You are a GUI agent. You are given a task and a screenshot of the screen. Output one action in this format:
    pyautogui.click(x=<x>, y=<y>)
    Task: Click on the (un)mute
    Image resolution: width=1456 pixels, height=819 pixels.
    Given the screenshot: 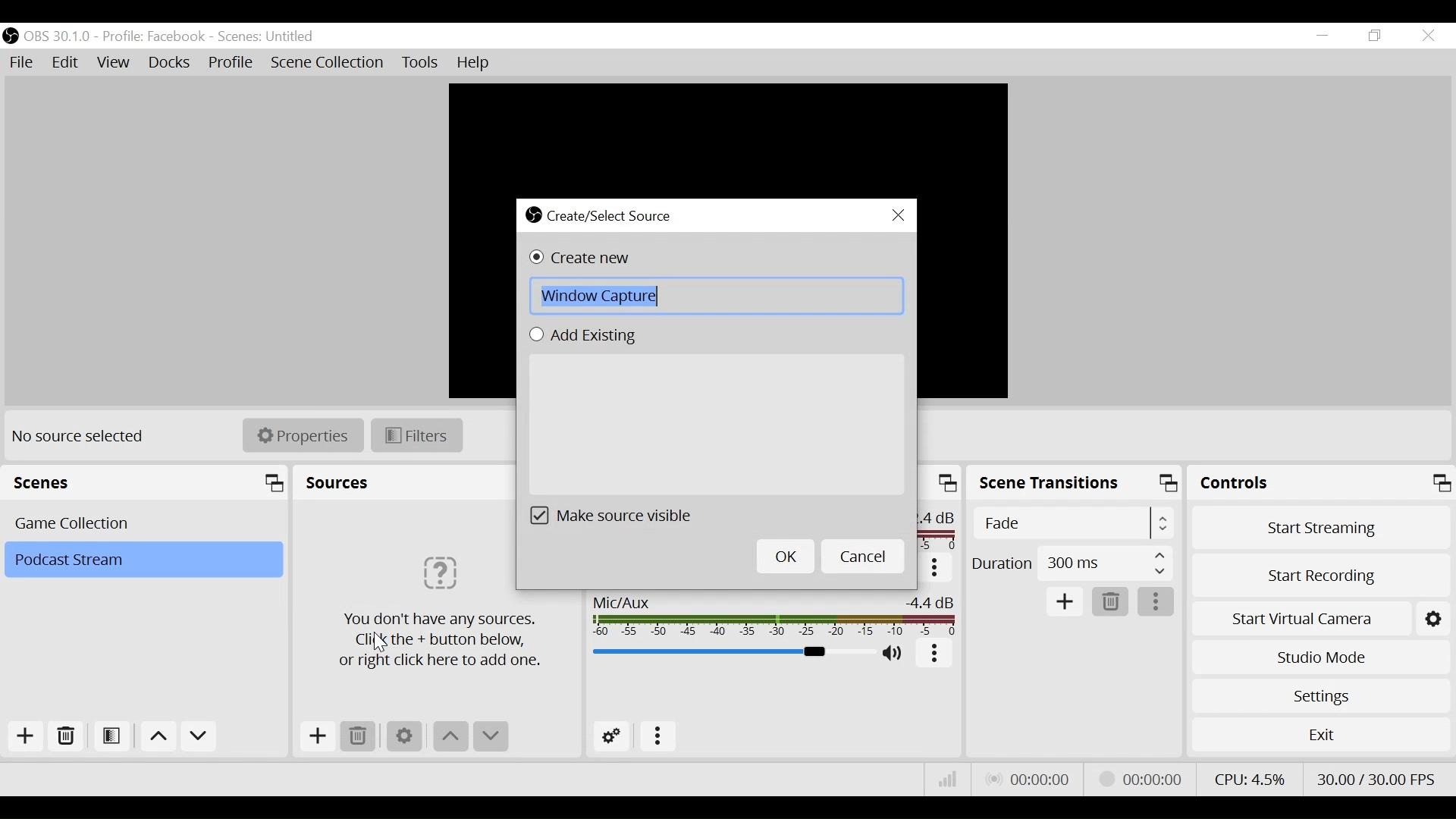 What is the action you would take?
    pyautogui.click(x=894, y=654)
    